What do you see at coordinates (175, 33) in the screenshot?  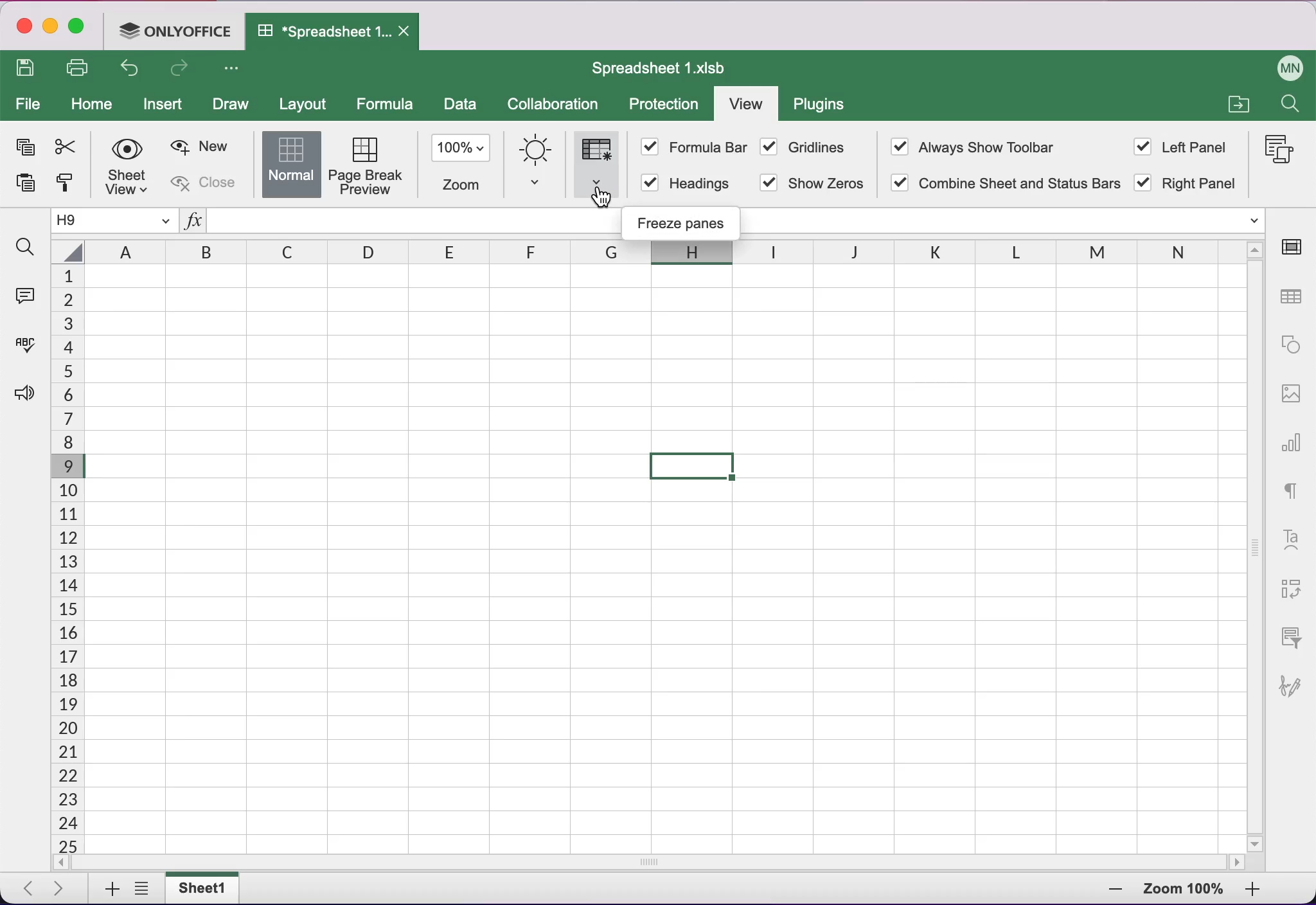 I see `onlyoffice` at bounding box center [175, 33].